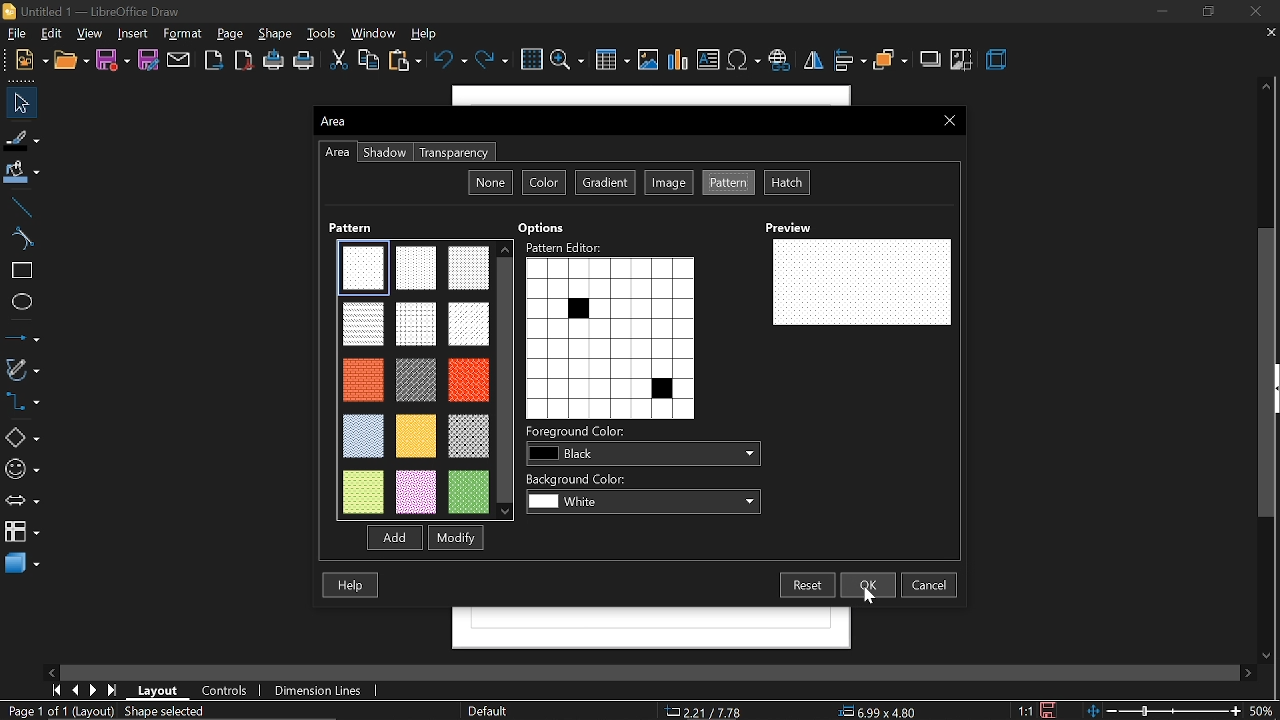 The width and height of the screenshot is (1280, 720). What do you see at coordinates (21, 335) in the screenshot?
I see `lines and arrow` at bounding box center [21, 335].